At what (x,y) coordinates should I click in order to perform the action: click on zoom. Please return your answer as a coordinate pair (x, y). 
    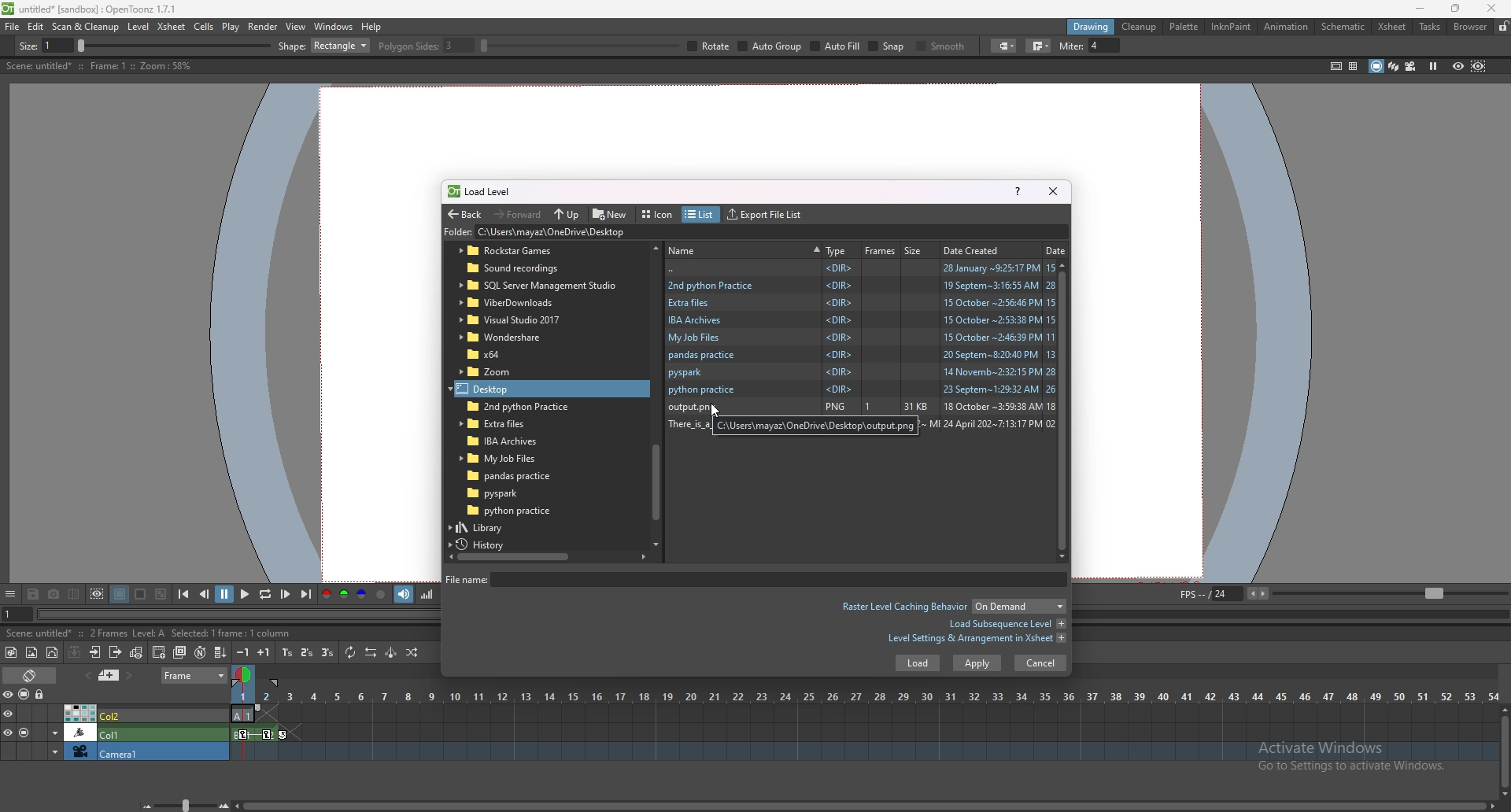
    Looking at the image, I should click on (182, 805).